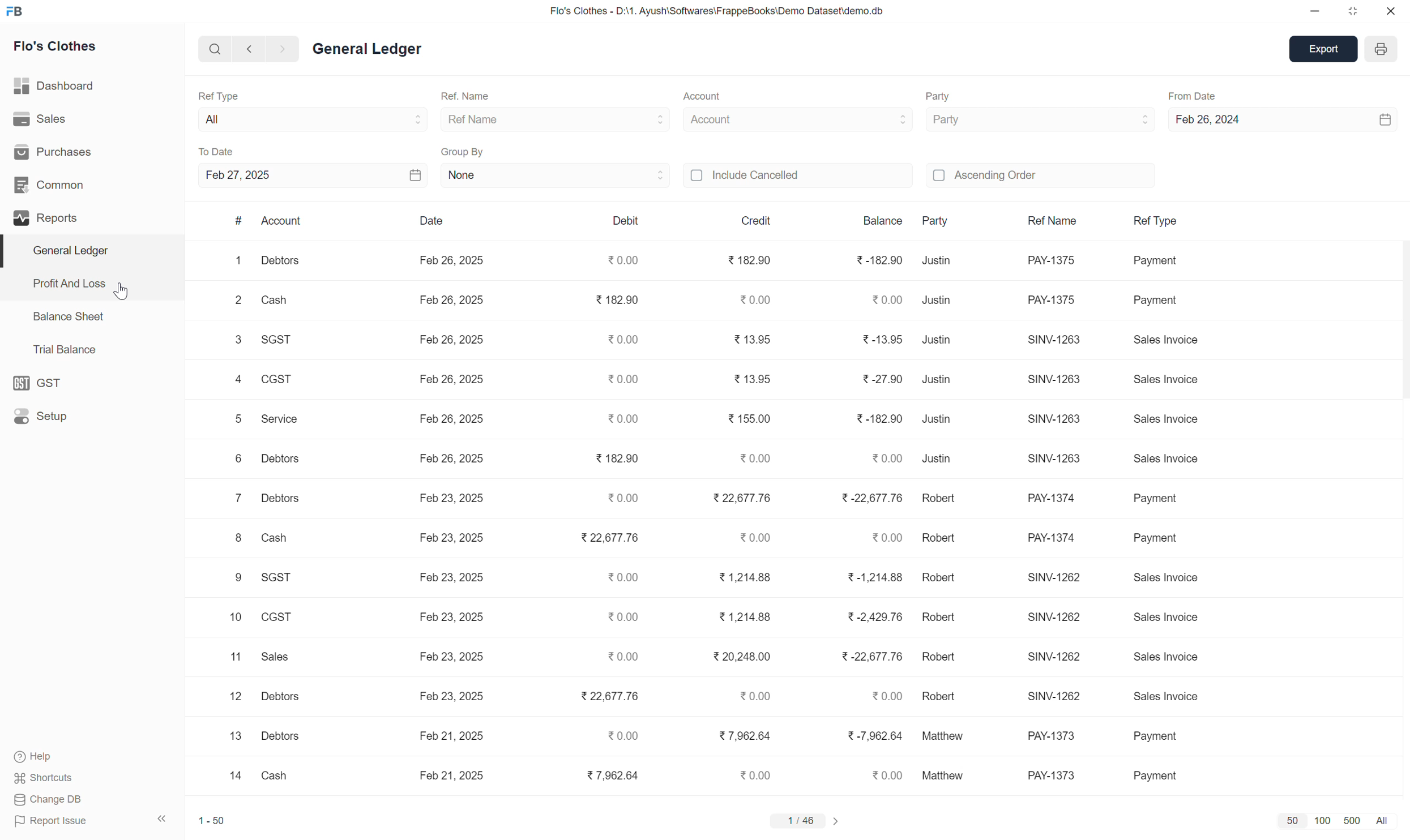 The width and height of the screenshot is (1410, 840). What do you see at coordinates (213, 825) in the screenshot?
I see `1-50` at bounding box center [213, 825].